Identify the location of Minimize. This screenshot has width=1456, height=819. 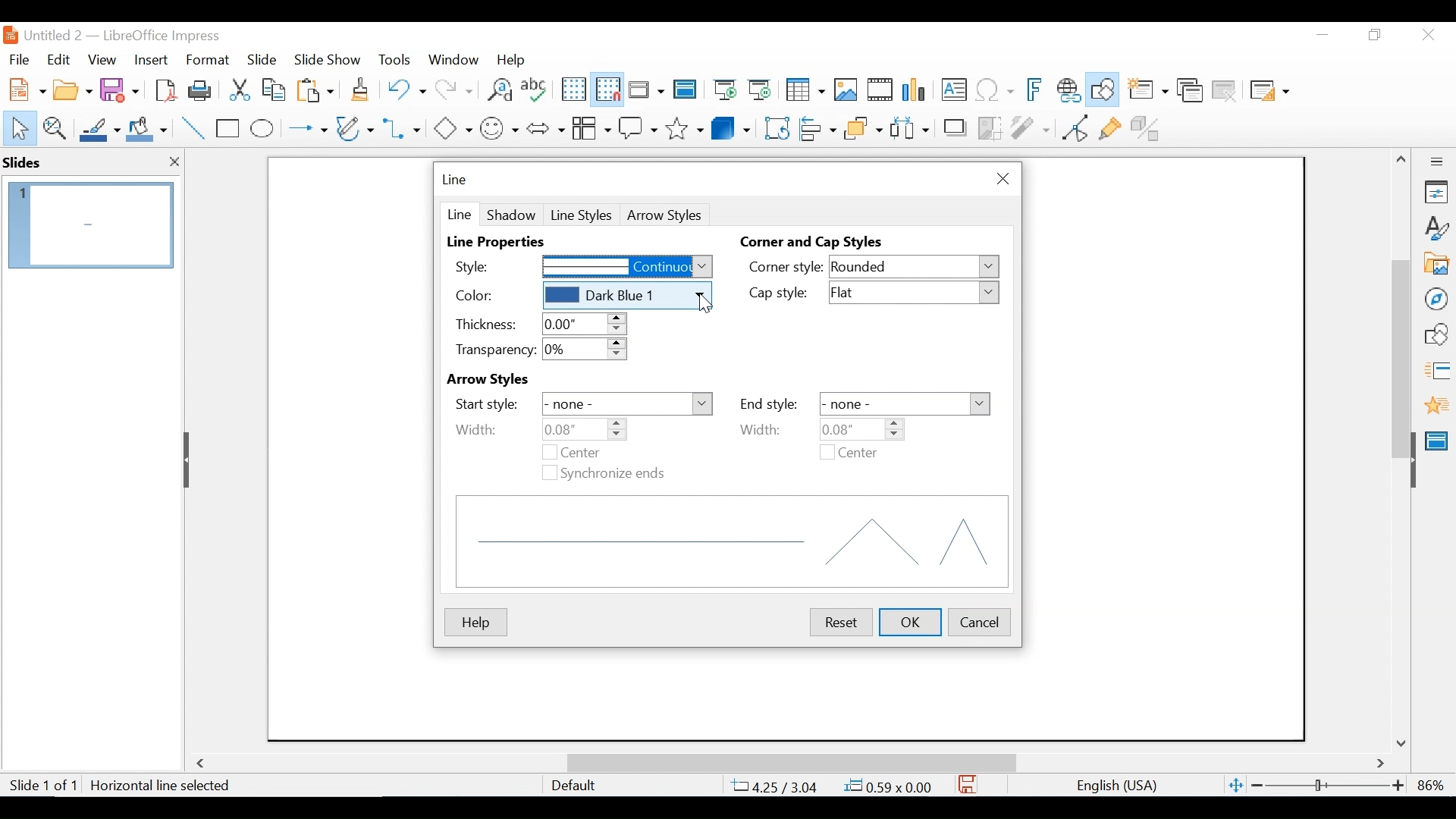
(1321, 35).